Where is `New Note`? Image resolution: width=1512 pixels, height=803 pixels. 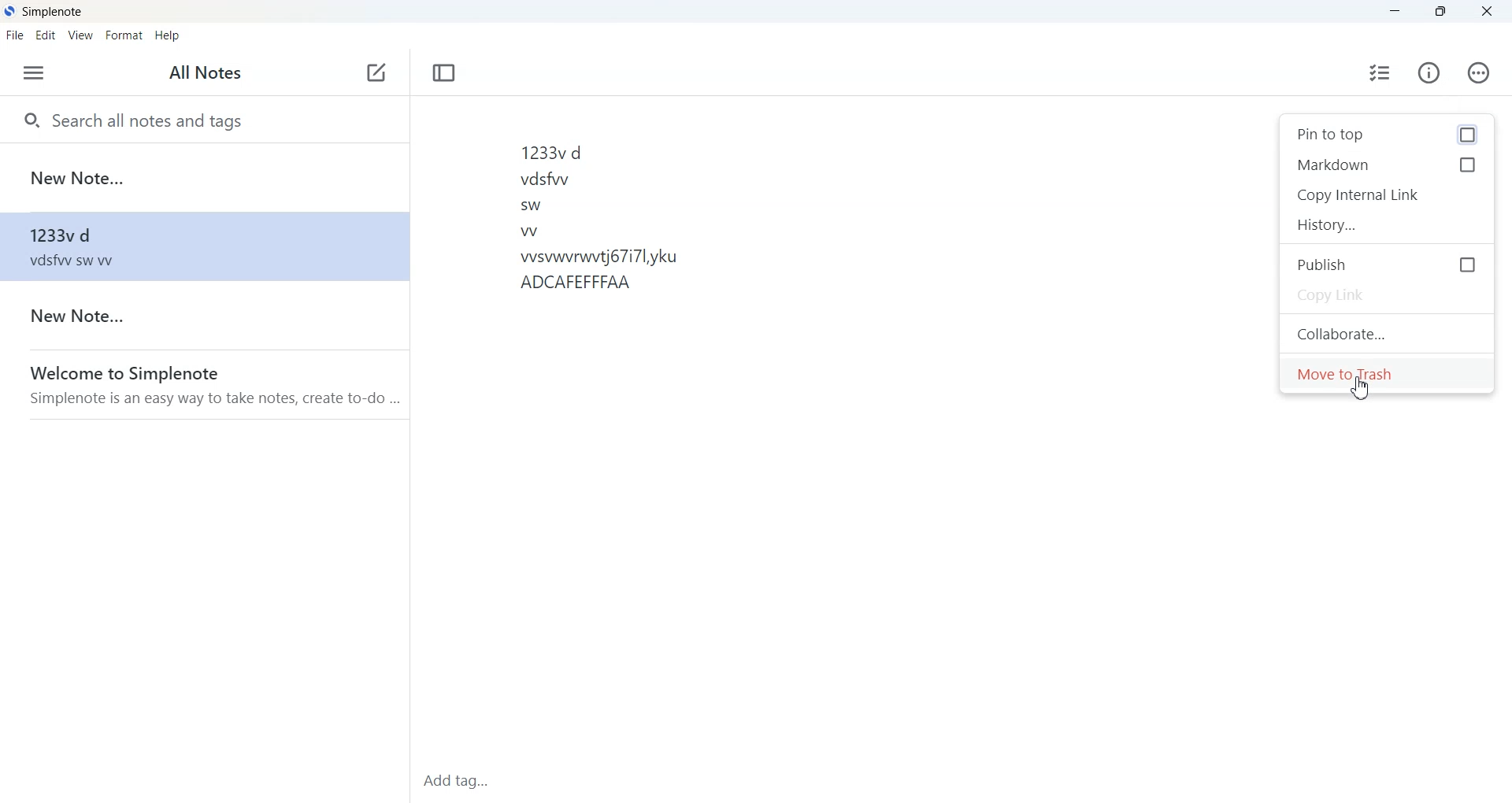
New Note is located at coordinates (204, 178).